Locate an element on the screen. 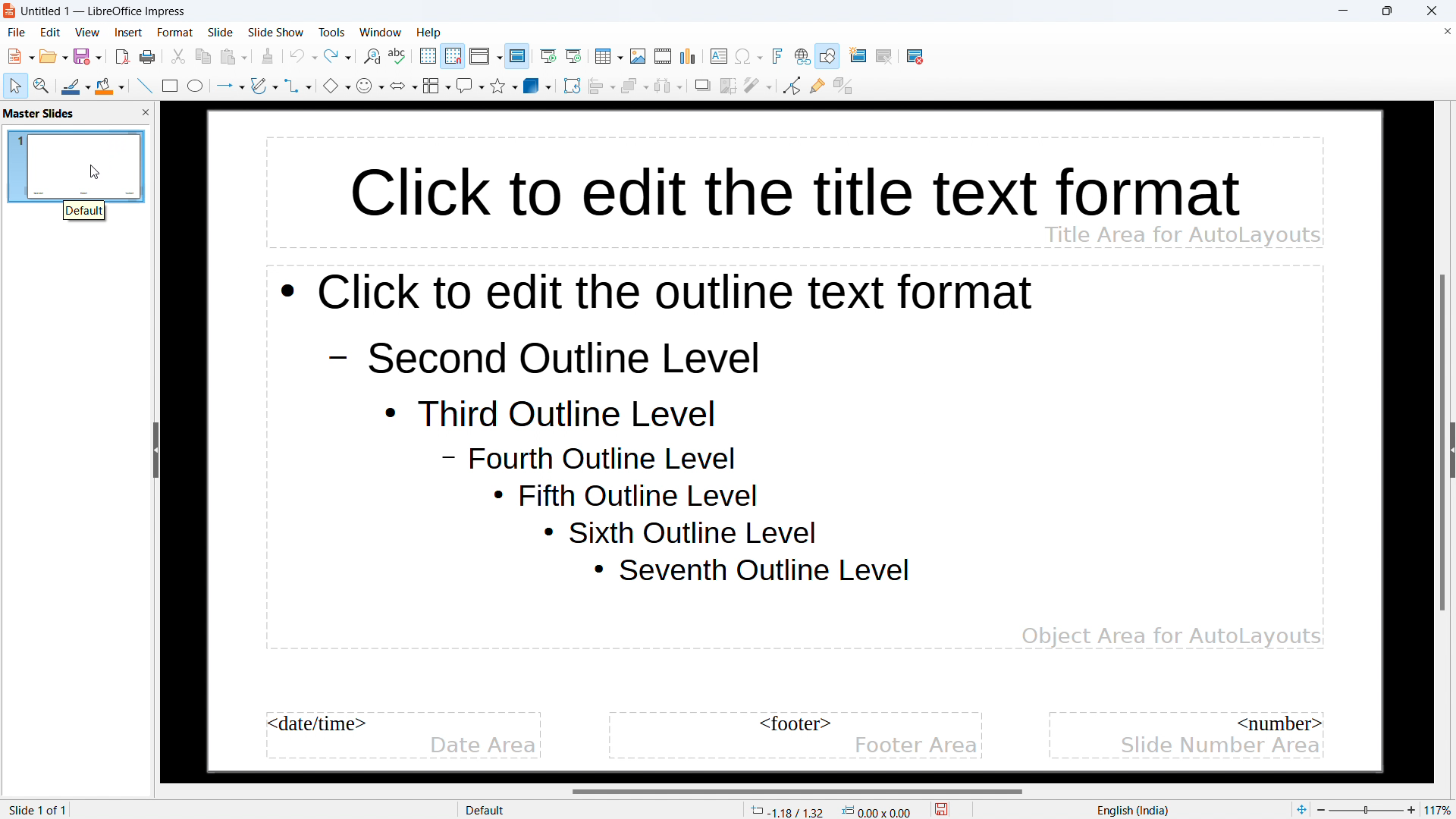 Image resolution: width=1456 pixels, height=819 pixels. shadow is located at coordinates (703, 85).